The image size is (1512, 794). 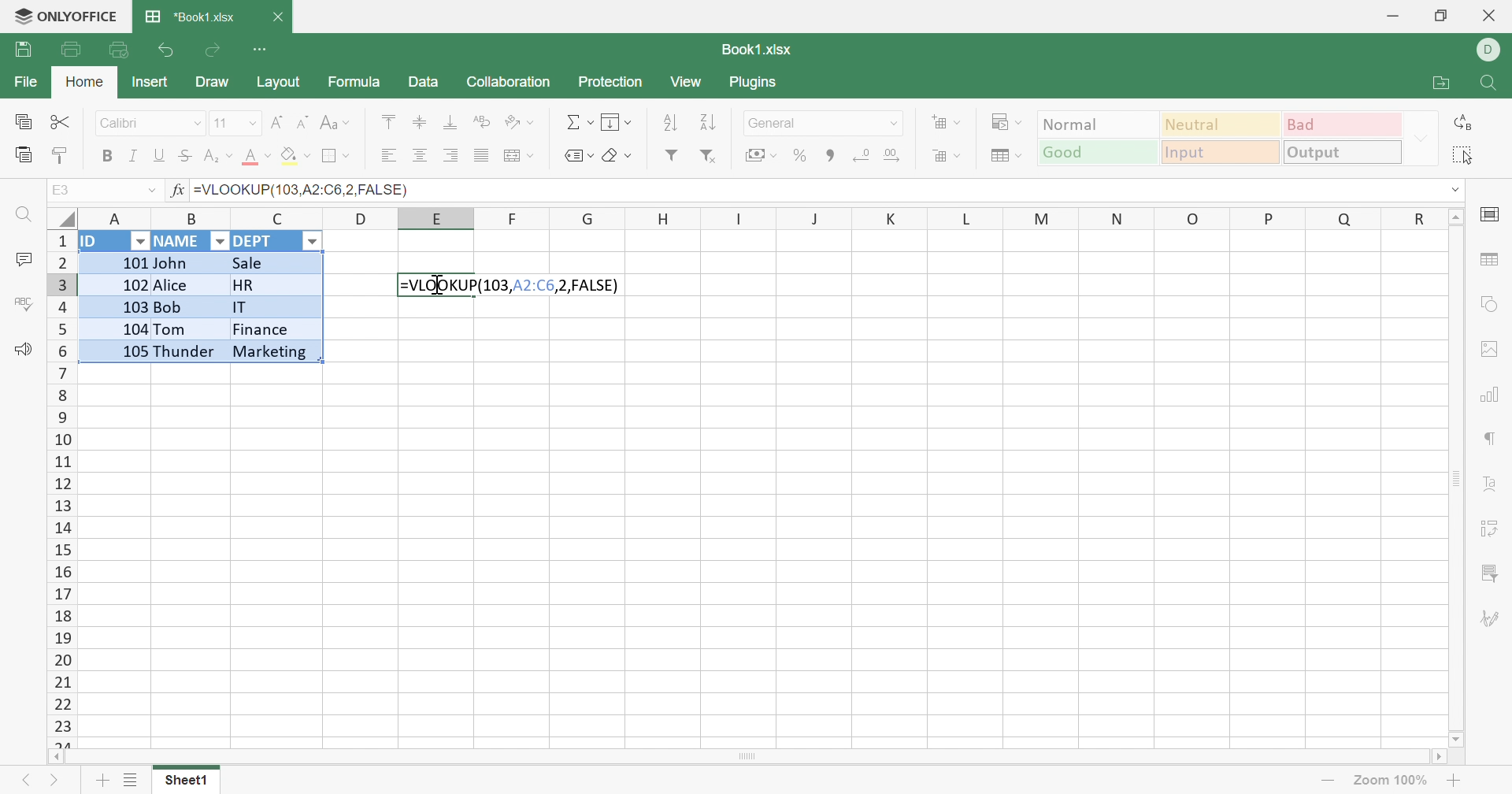 I want to click on Drop Down, so click(x=315, y=242).